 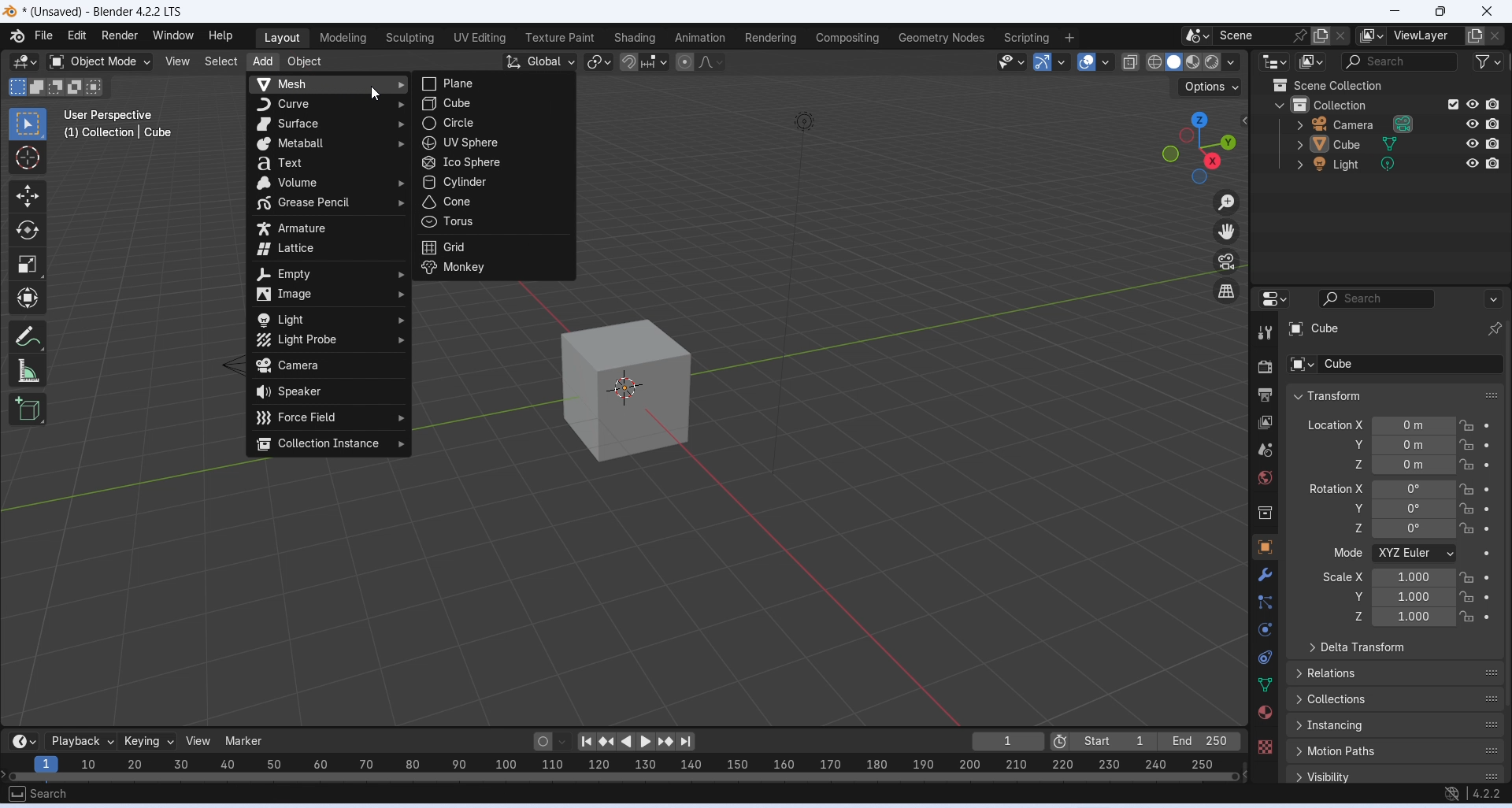 What do you see at coordinates (1398, 775) in the screenshot?
I see `visibility` at bounding box center [1398, 775].